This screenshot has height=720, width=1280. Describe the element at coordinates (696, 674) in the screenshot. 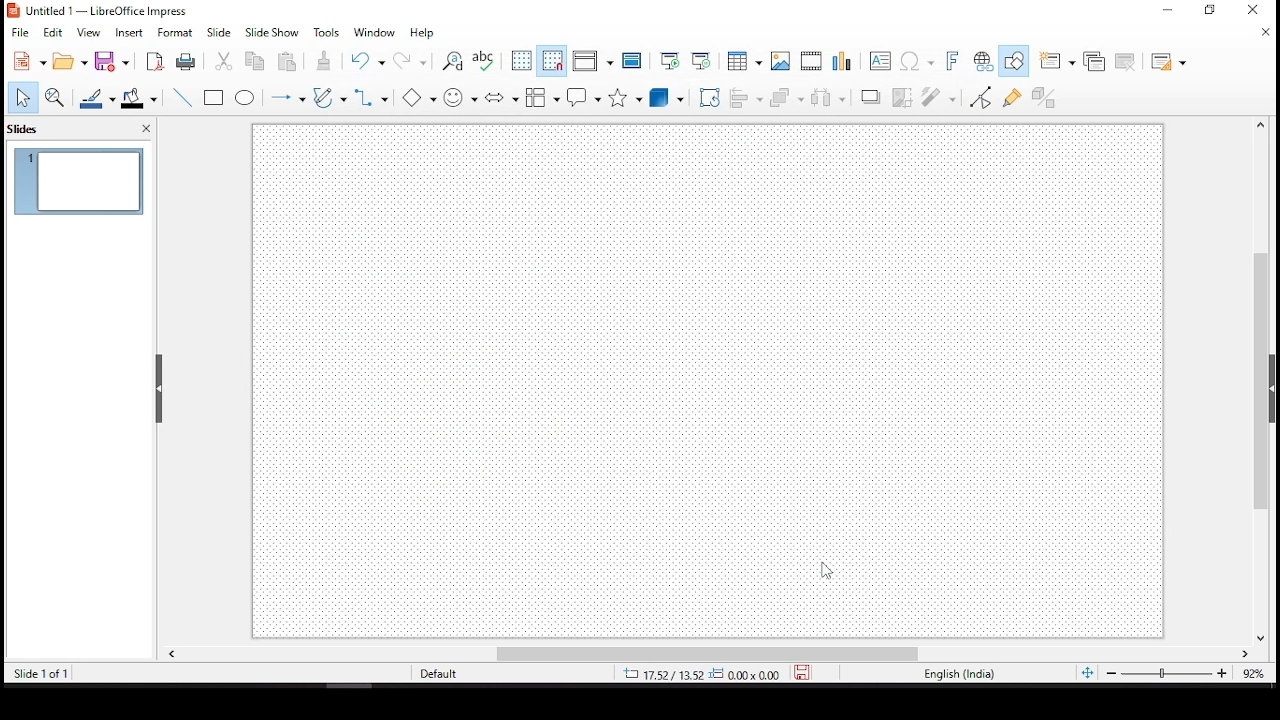

I see `-1.32/-0.32` at that location.